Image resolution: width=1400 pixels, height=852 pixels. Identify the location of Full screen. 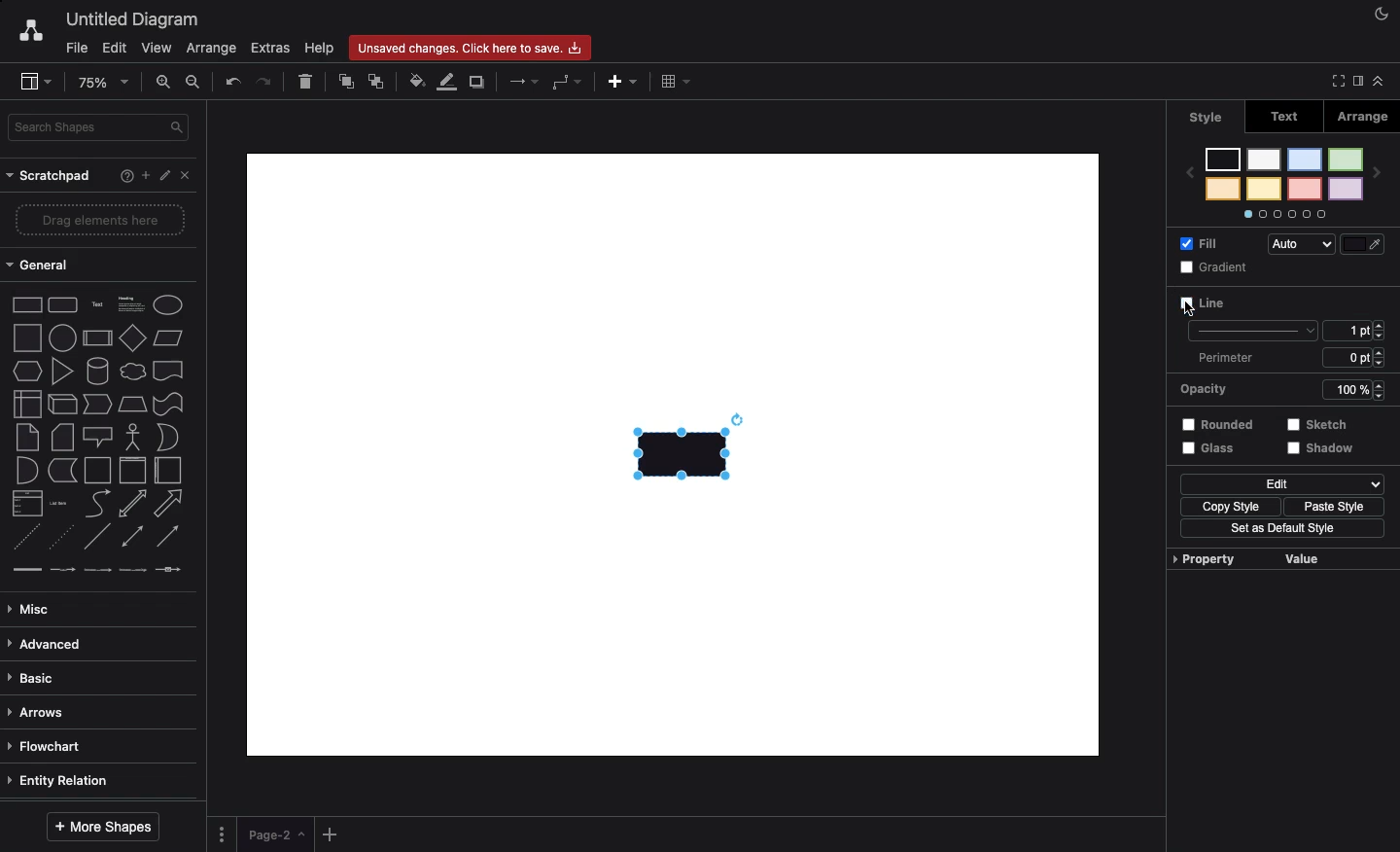
(1334, 81).